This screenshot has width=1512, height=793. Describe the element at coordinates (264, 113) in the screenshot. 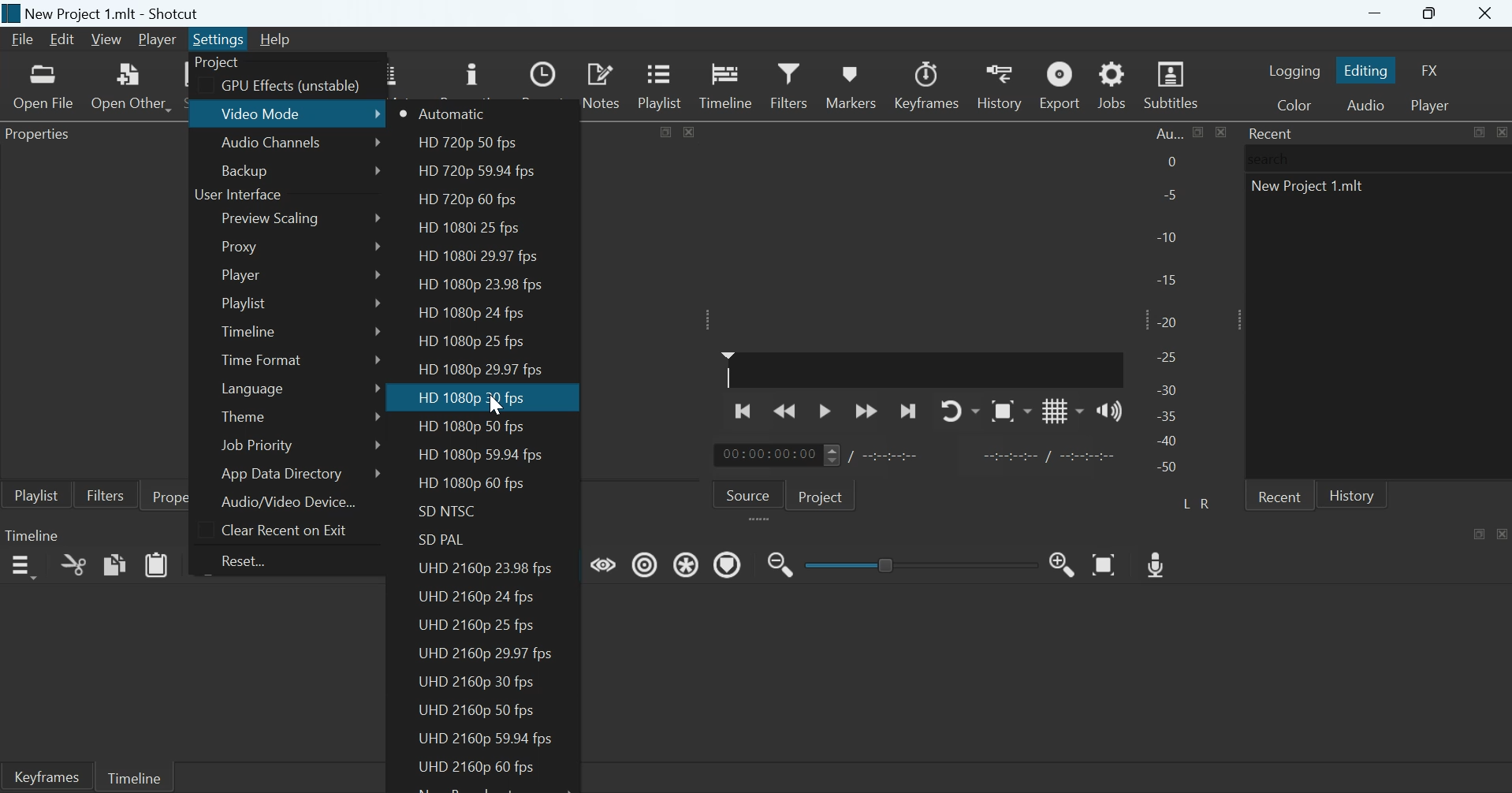

I see `Video mode` at that location.